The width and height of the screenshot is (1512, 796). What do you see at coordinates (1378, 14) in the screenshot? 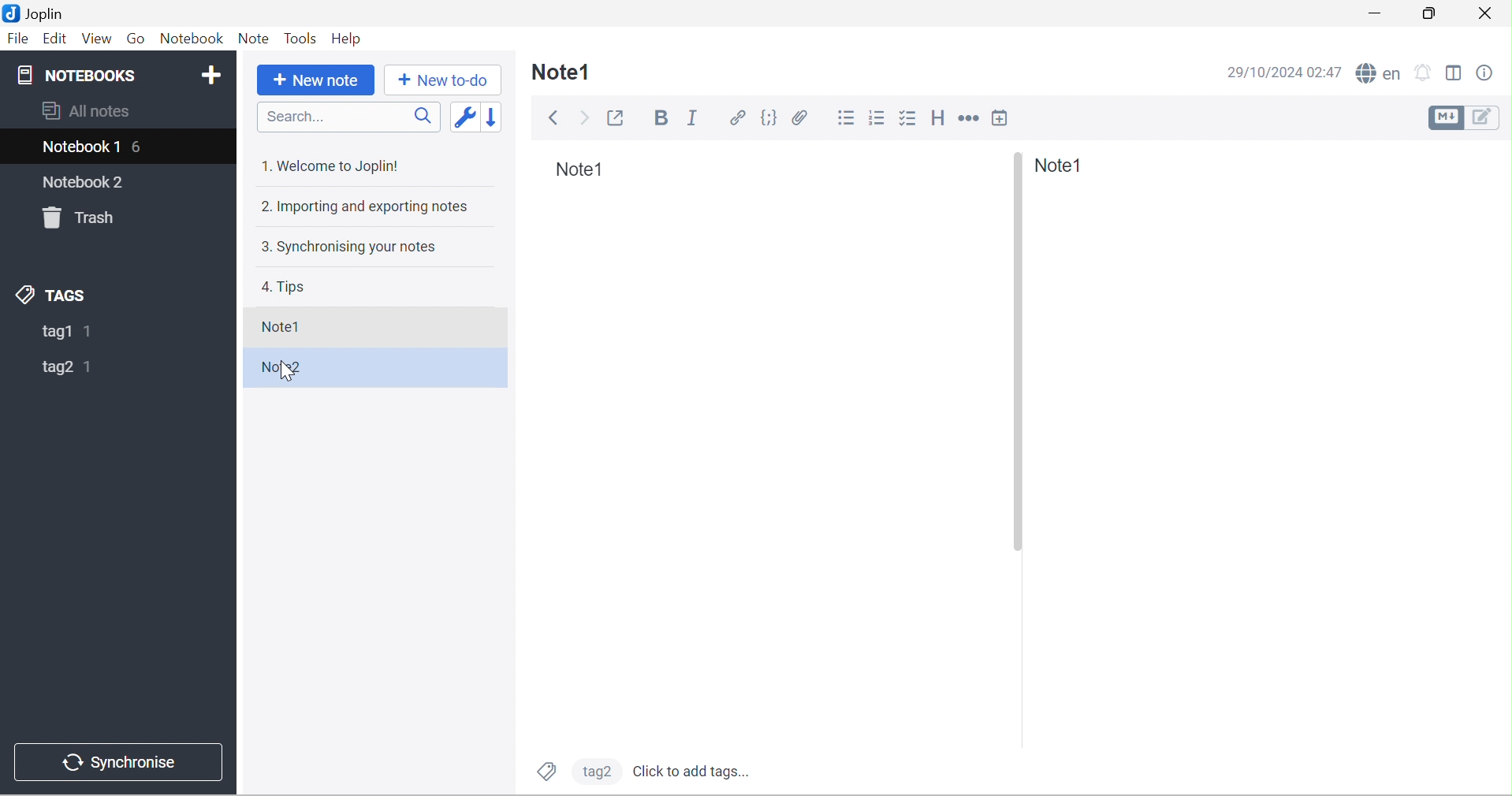
I see `Minimize` at bounding box center [1378, 14].